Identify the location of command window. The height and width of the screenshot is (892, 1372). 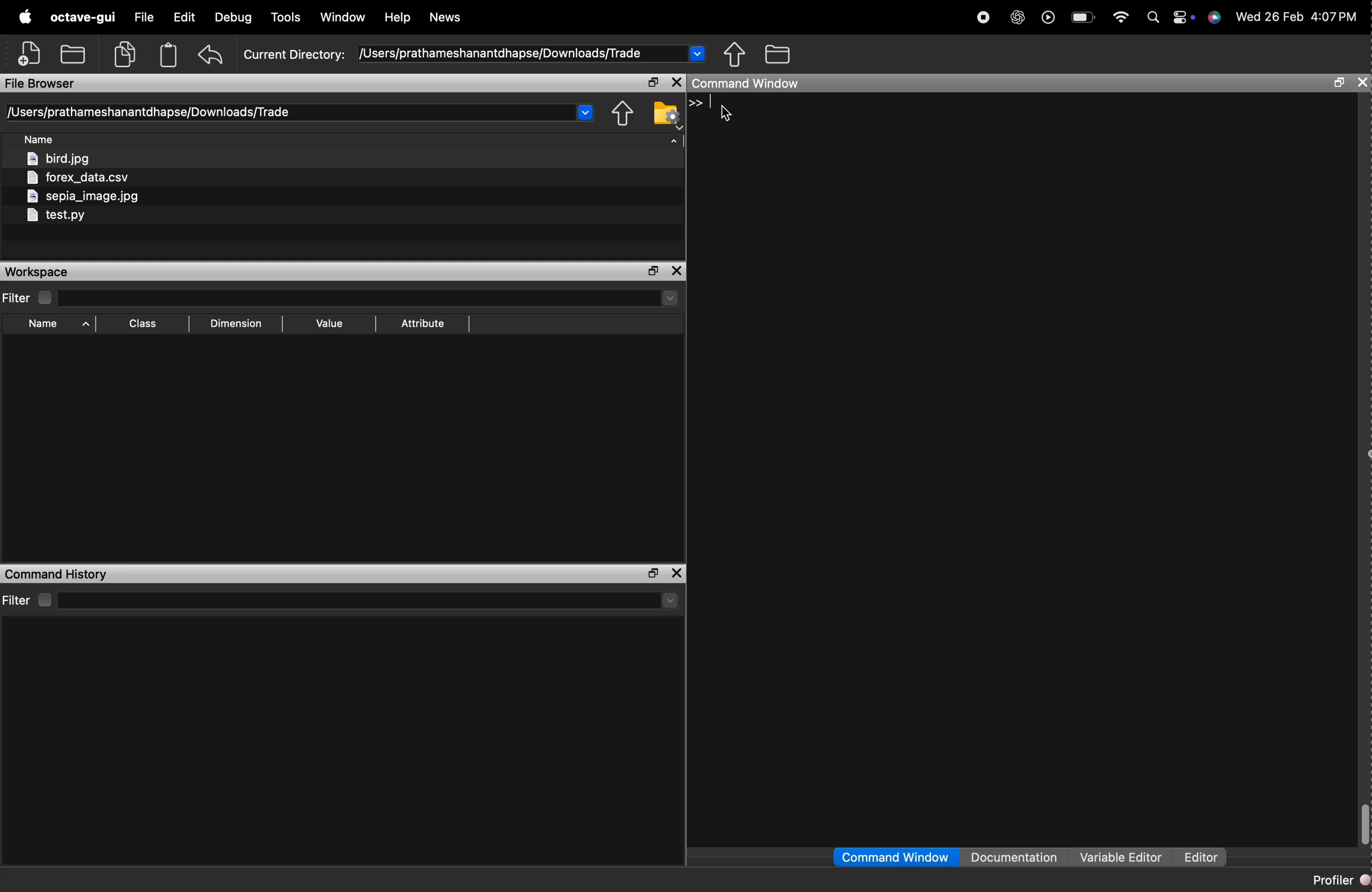
(895, 856).